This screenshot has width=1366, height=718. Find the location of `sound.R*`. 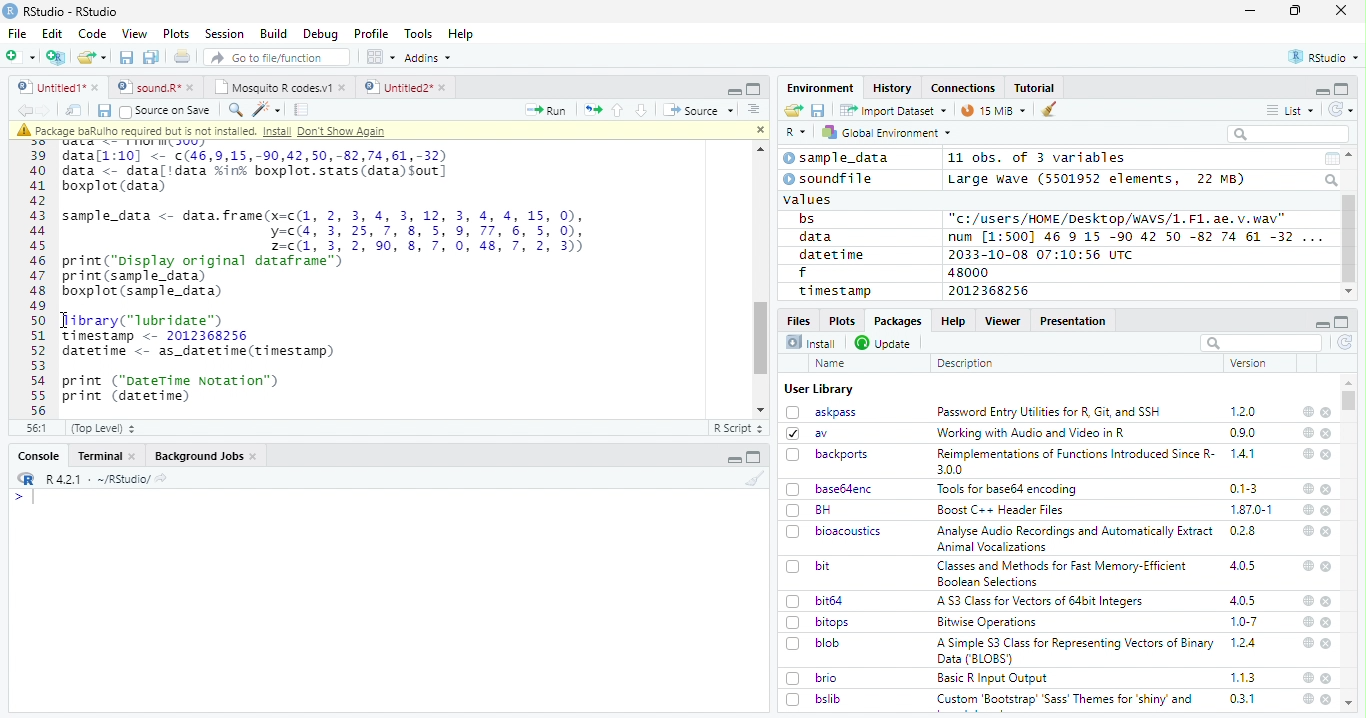

sound.R* is located at coordinates (156, 88).